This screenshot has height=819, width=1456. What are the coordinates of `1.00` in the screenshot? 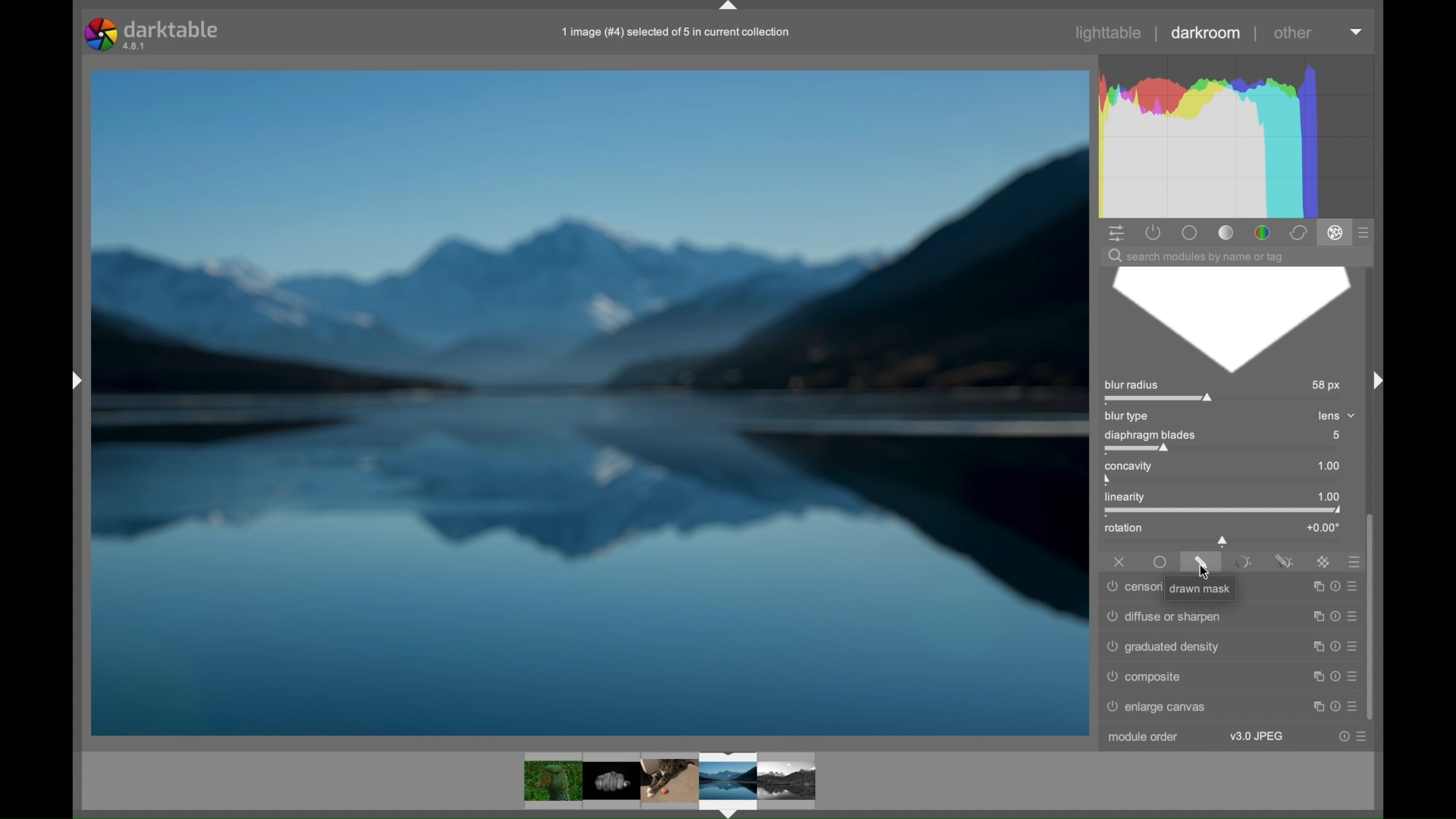 It's located at (1322, 466).